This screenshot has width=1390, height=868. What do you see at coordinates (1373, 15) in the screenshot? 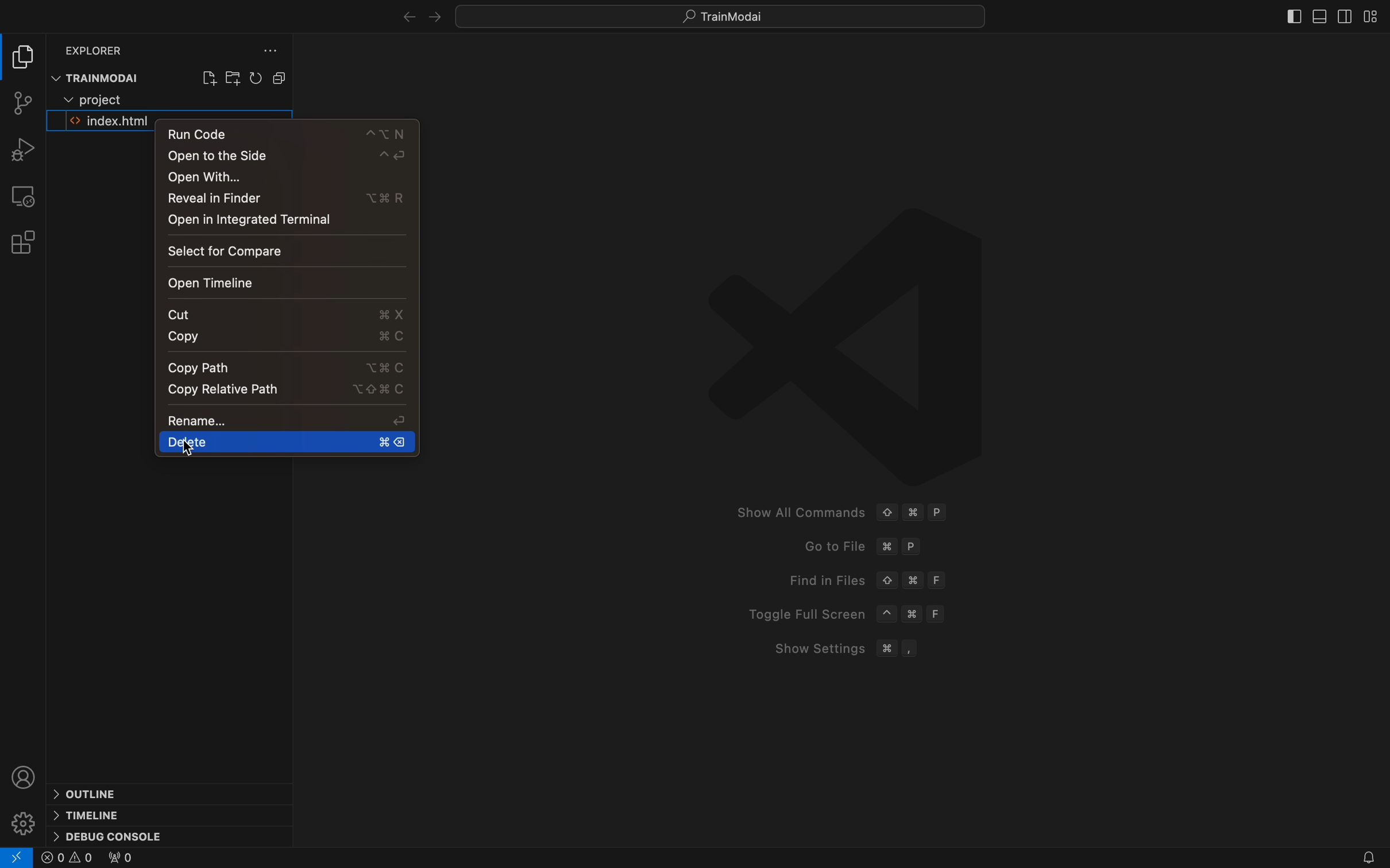
I see `layouts` at bounding box center [1373, 15].